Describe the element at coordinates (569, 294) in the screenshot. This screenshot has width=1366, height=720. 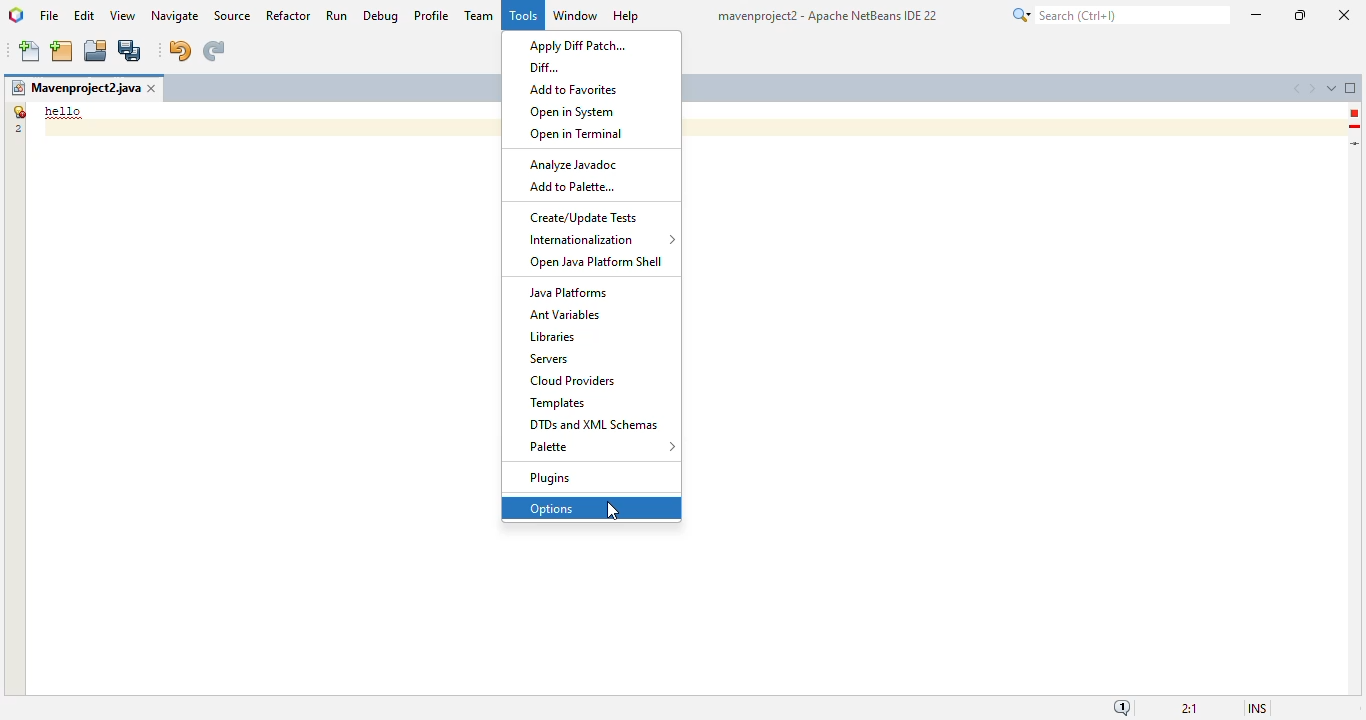
I see `java platforms` at that location.